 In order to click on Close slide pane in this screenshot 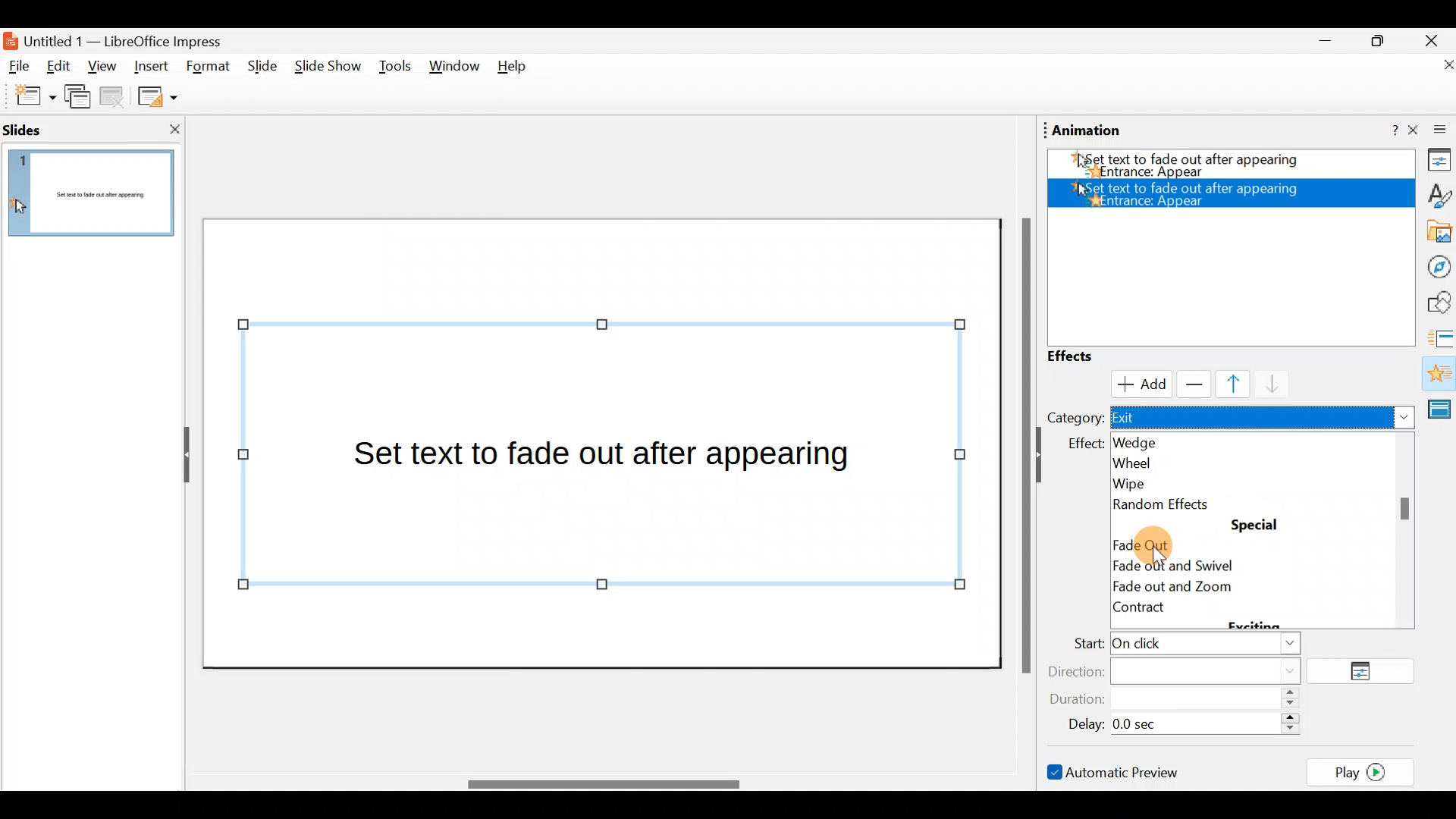, I will do `click(170, 129)`.